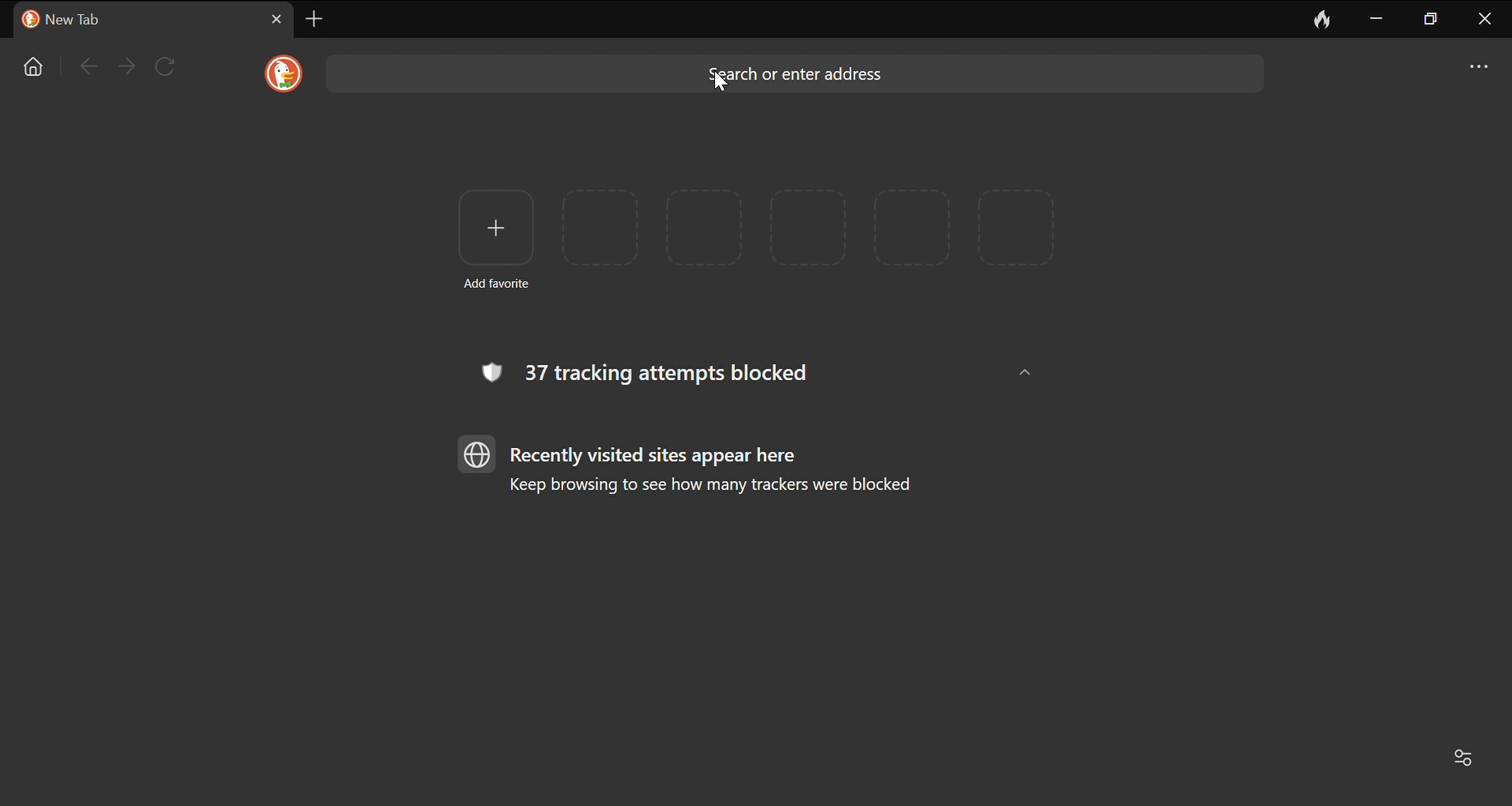  What do you see at coordinates (1480, 64) in the screenshot?
I see `options` at bounding box center [1480, 64].